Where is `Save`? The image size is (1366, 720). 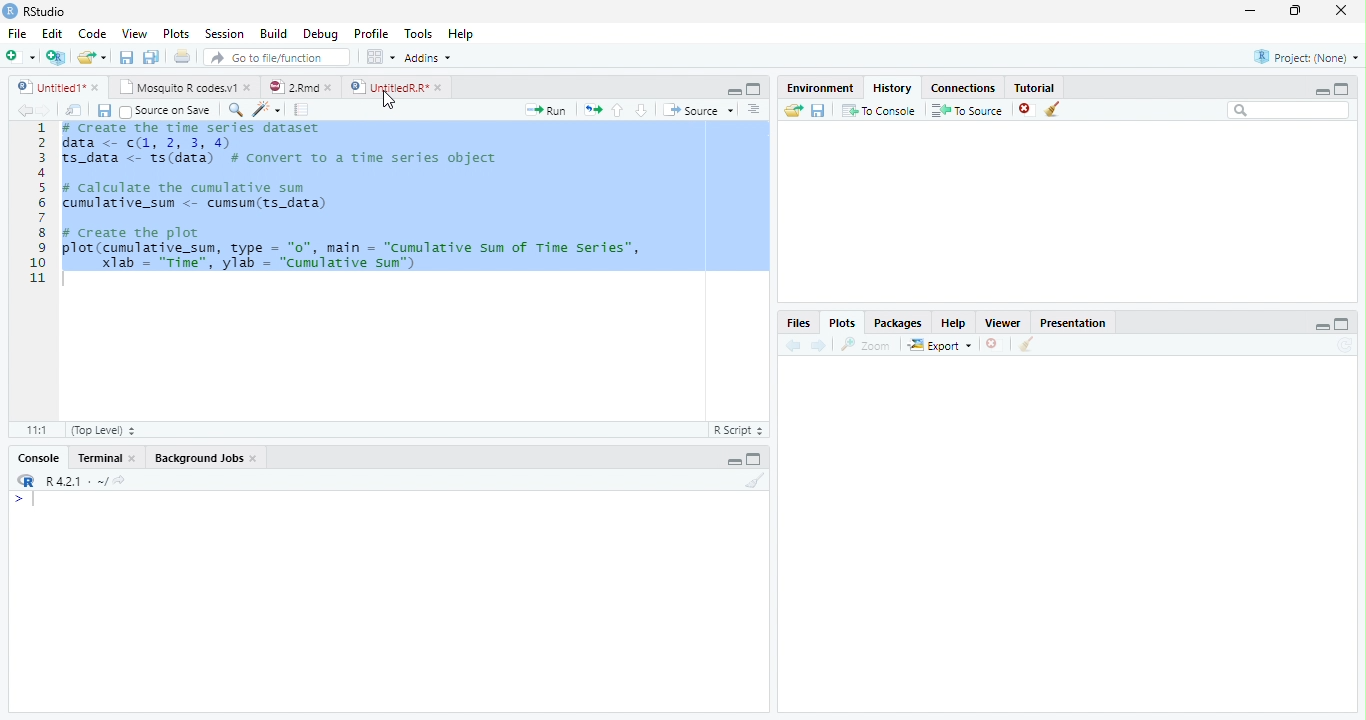 Save is located at coordinates (820, 111).